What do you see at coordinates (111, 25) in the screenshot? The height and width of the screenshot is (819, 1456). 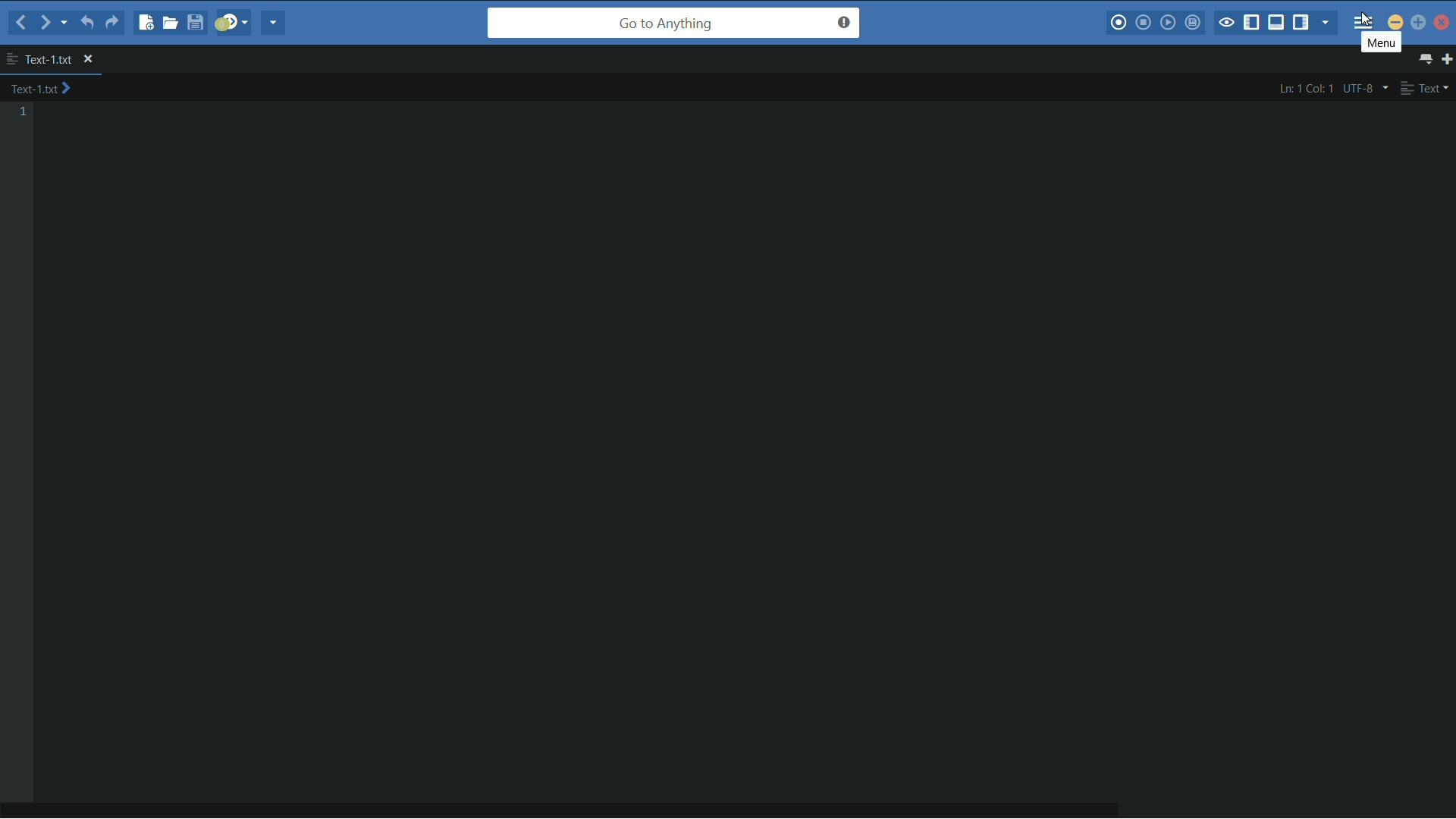 I see `redo` at bounding box center [111, 25].